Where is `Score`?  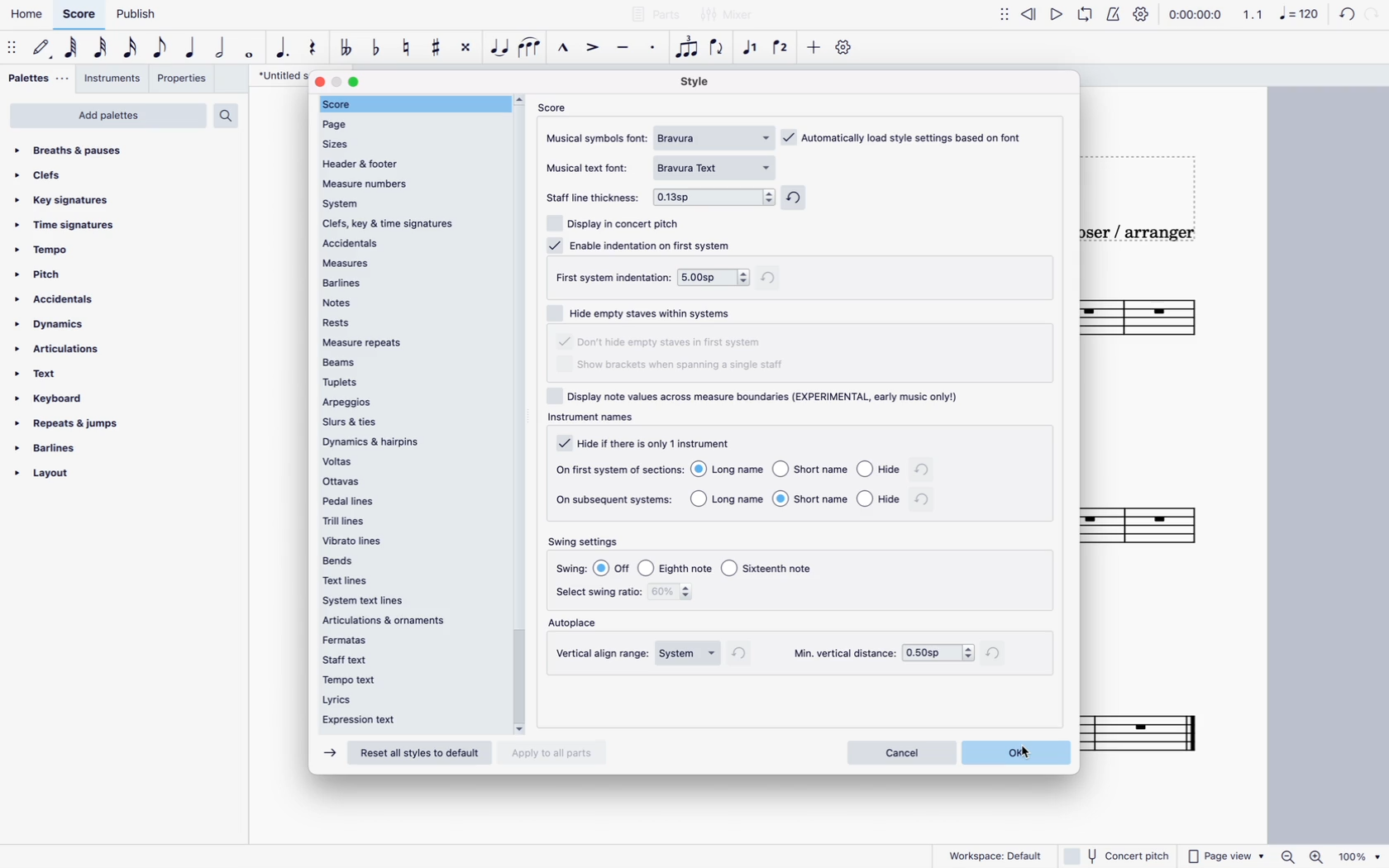
Score is located at coordinates (1147, 732).